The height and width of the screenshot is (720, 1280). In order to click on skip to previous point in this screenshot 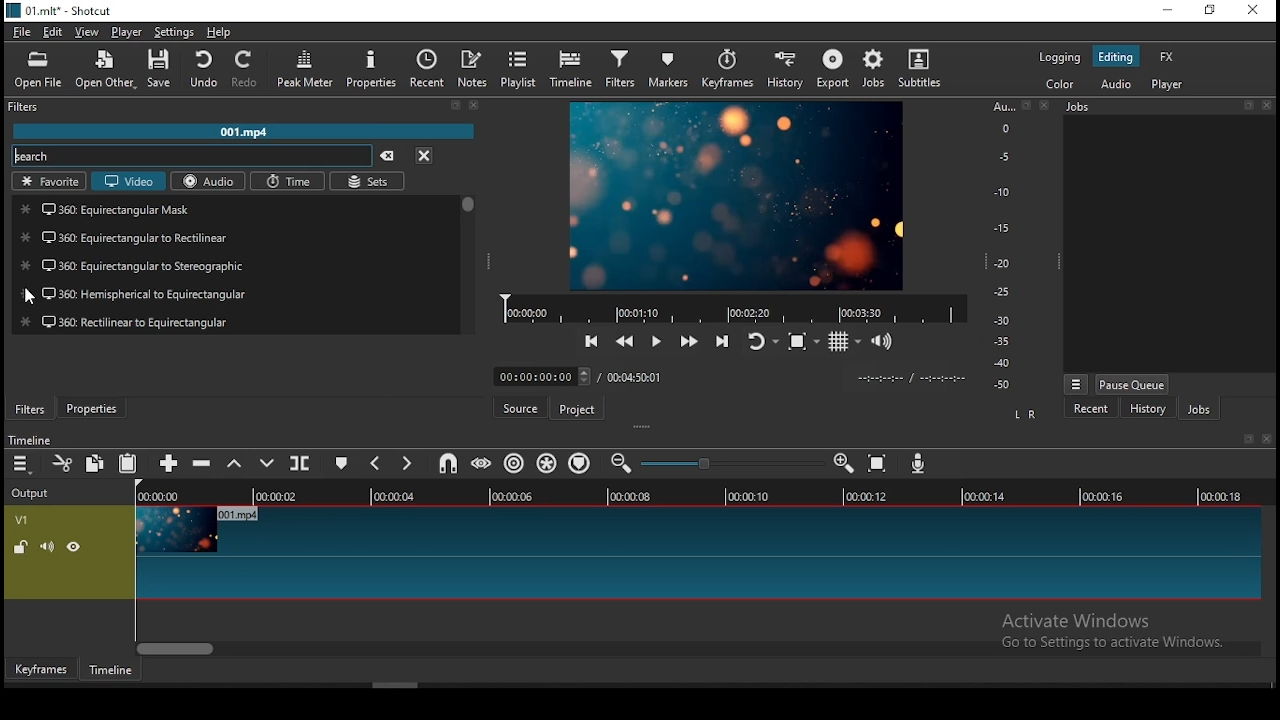, I will do `click(592, 343)`.